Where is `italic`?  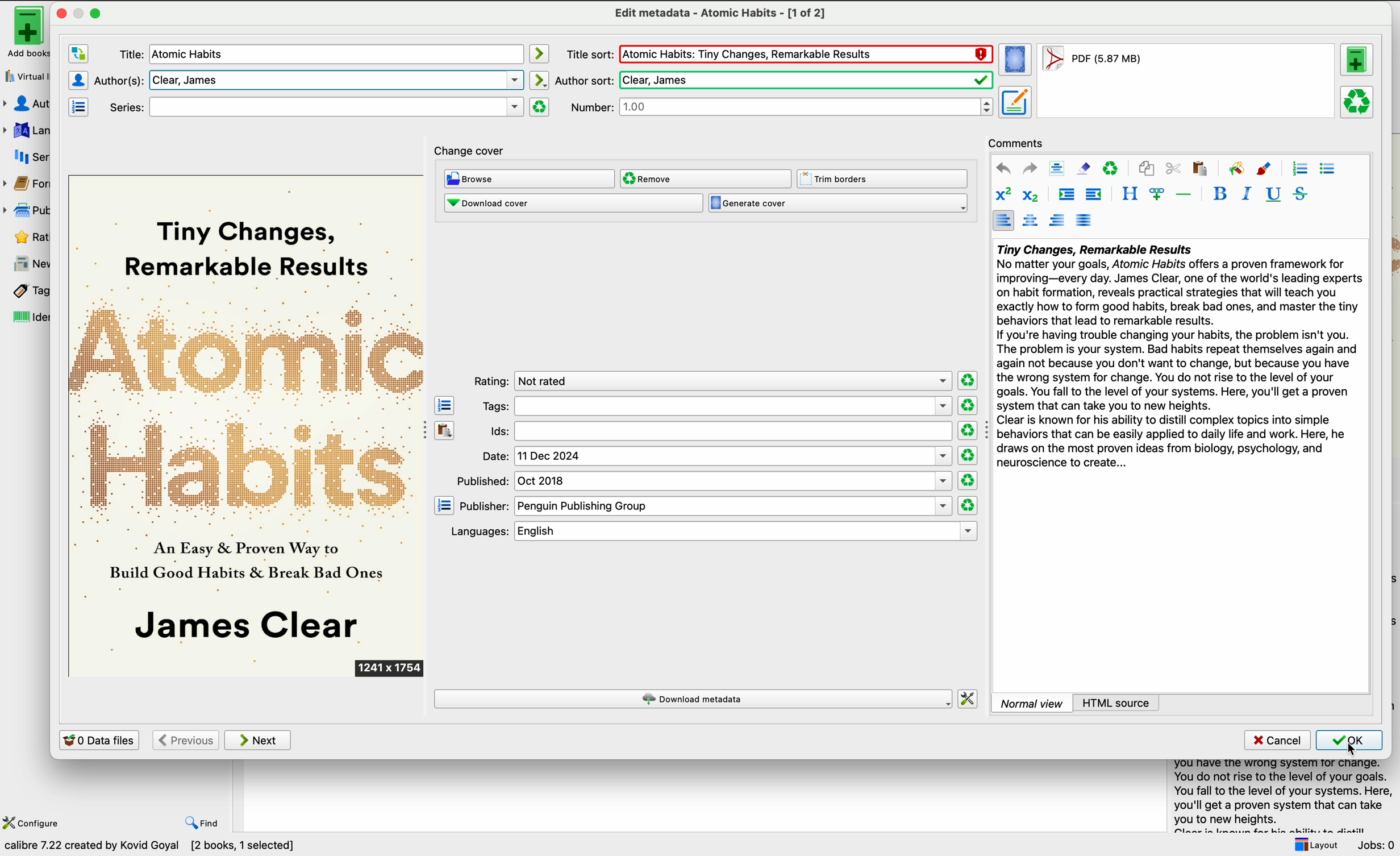
italic is located at coordinates (1247, 194).